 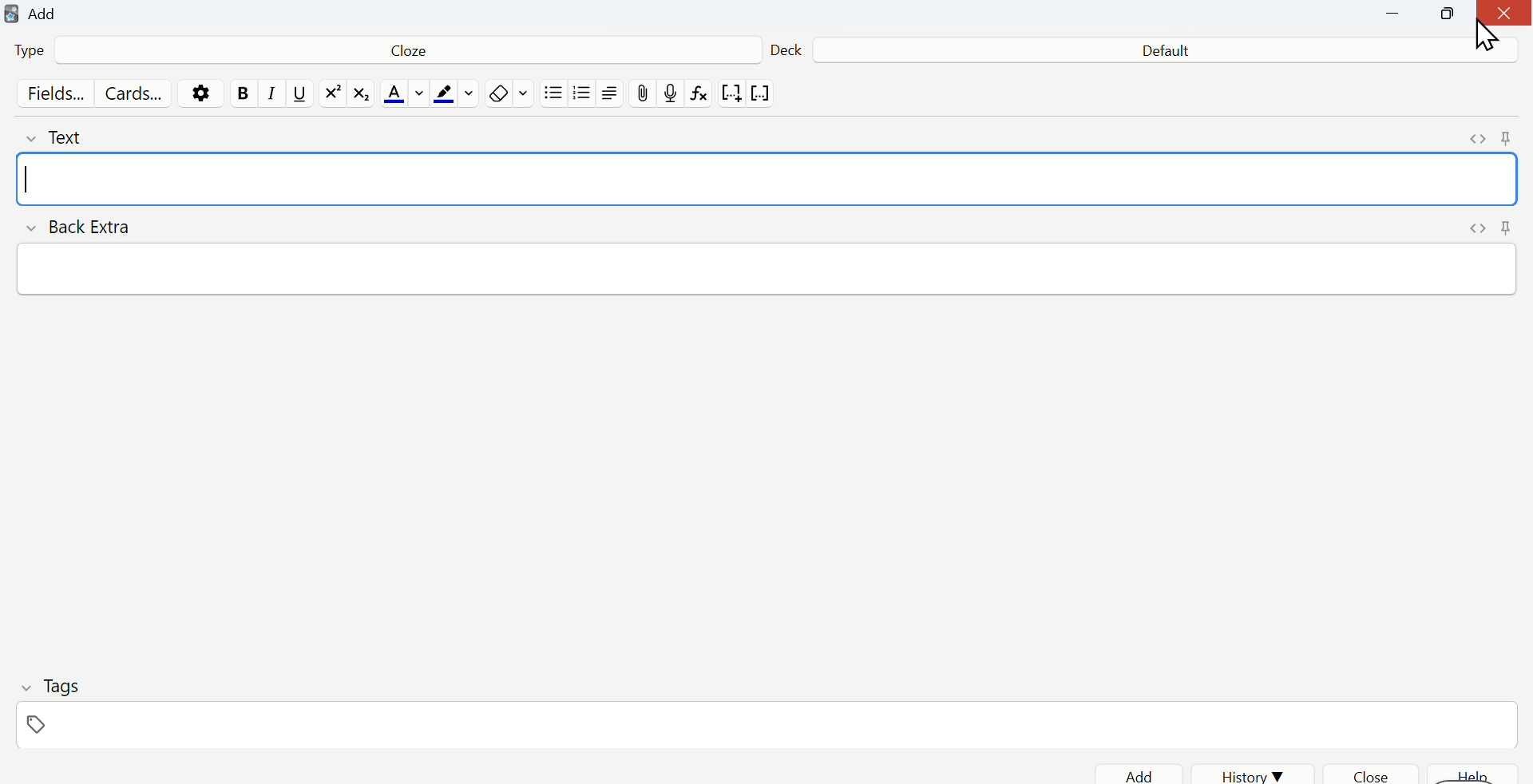 What do you see at coordinates (509, 94) in the screenshot?
I see `Eraser` at bounding box center [509, 94].